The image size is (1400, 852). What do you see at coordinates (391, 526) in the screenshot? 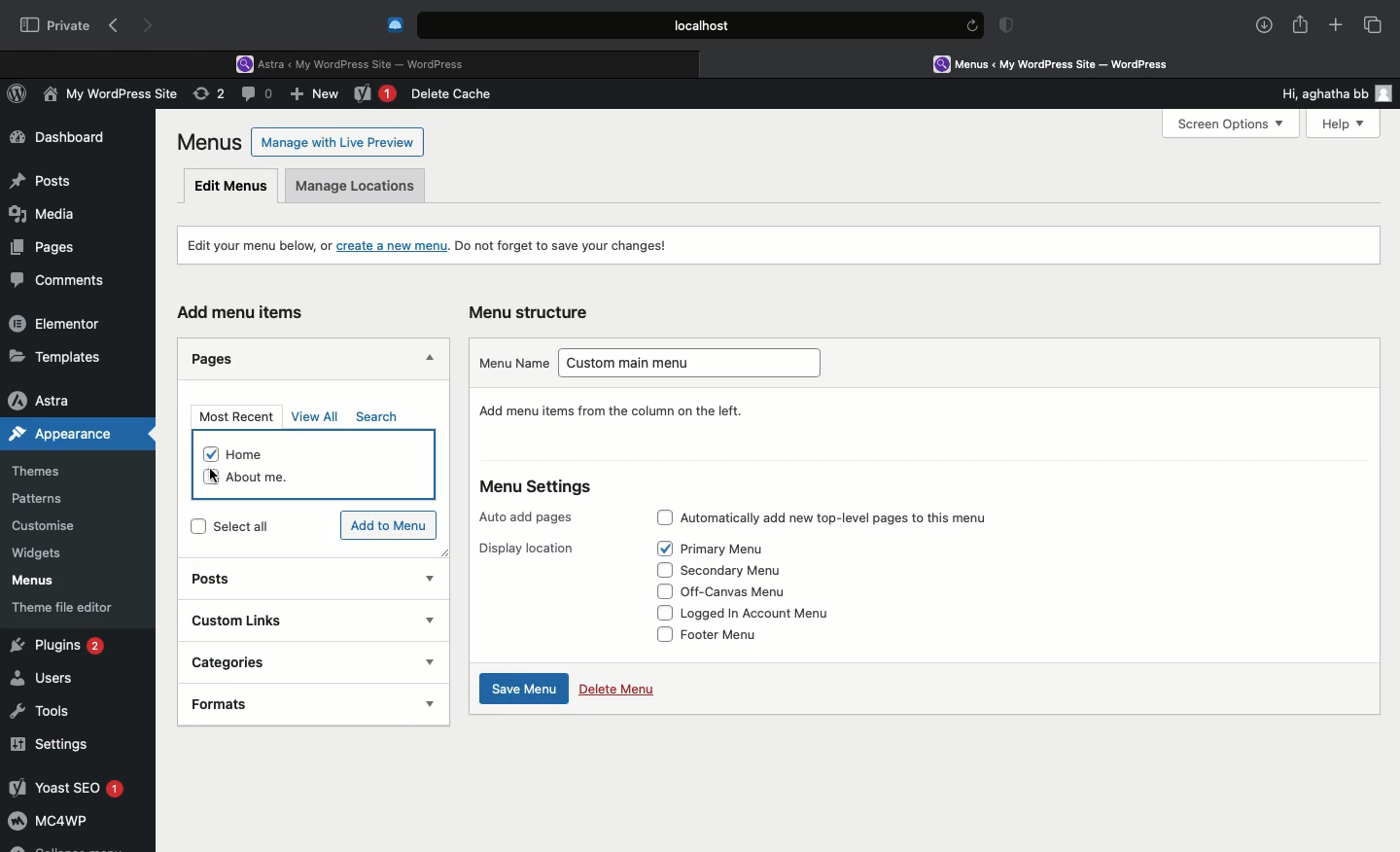
I see `Add to menu` at bounding box center [391, 526].